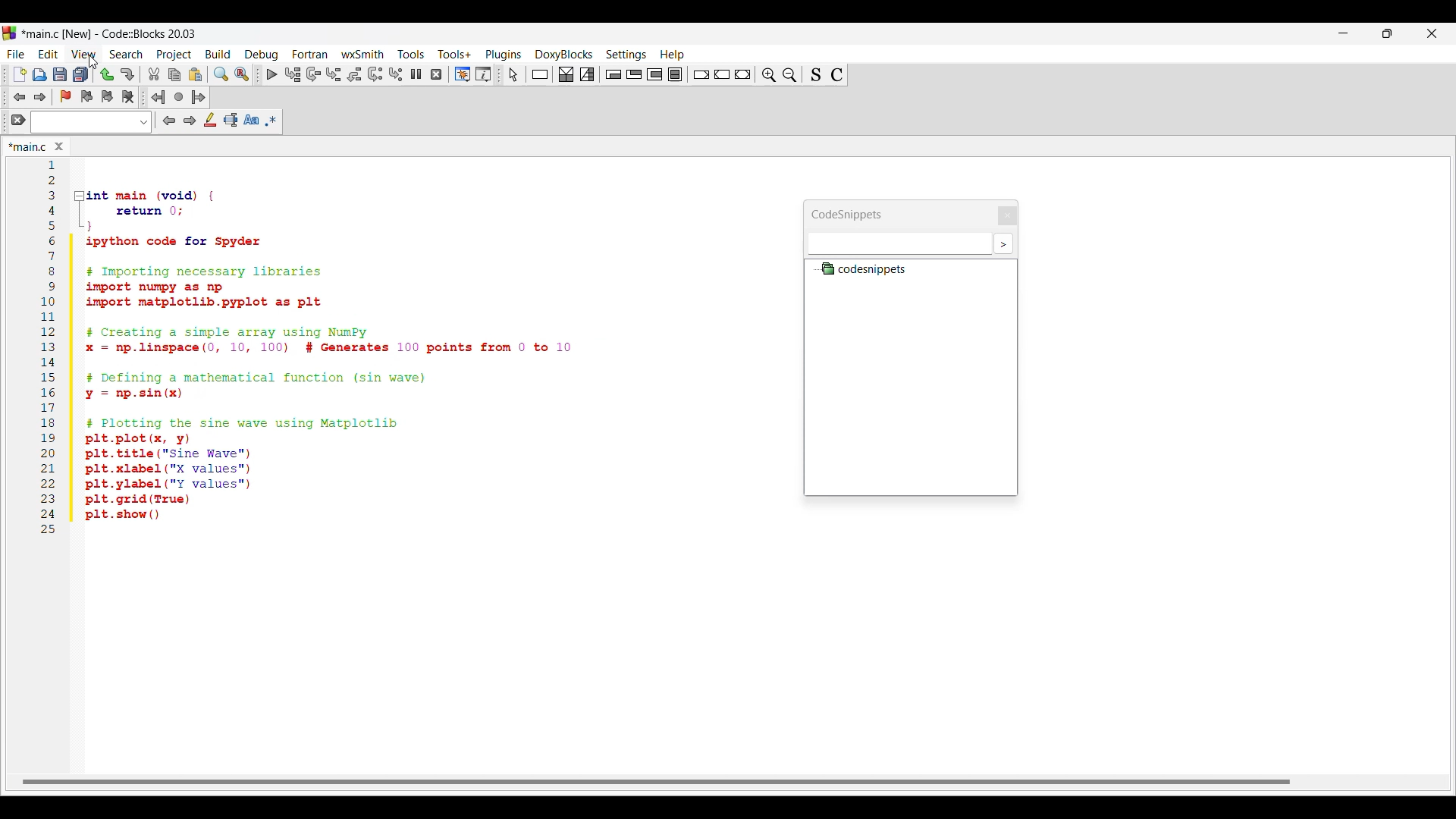 Image resolution: width=1456 pixels, height=819 pixels. What do you see at coordinates (174, 55) in the screenshot?
I see `Project menu` at bounding box center [174, 55].